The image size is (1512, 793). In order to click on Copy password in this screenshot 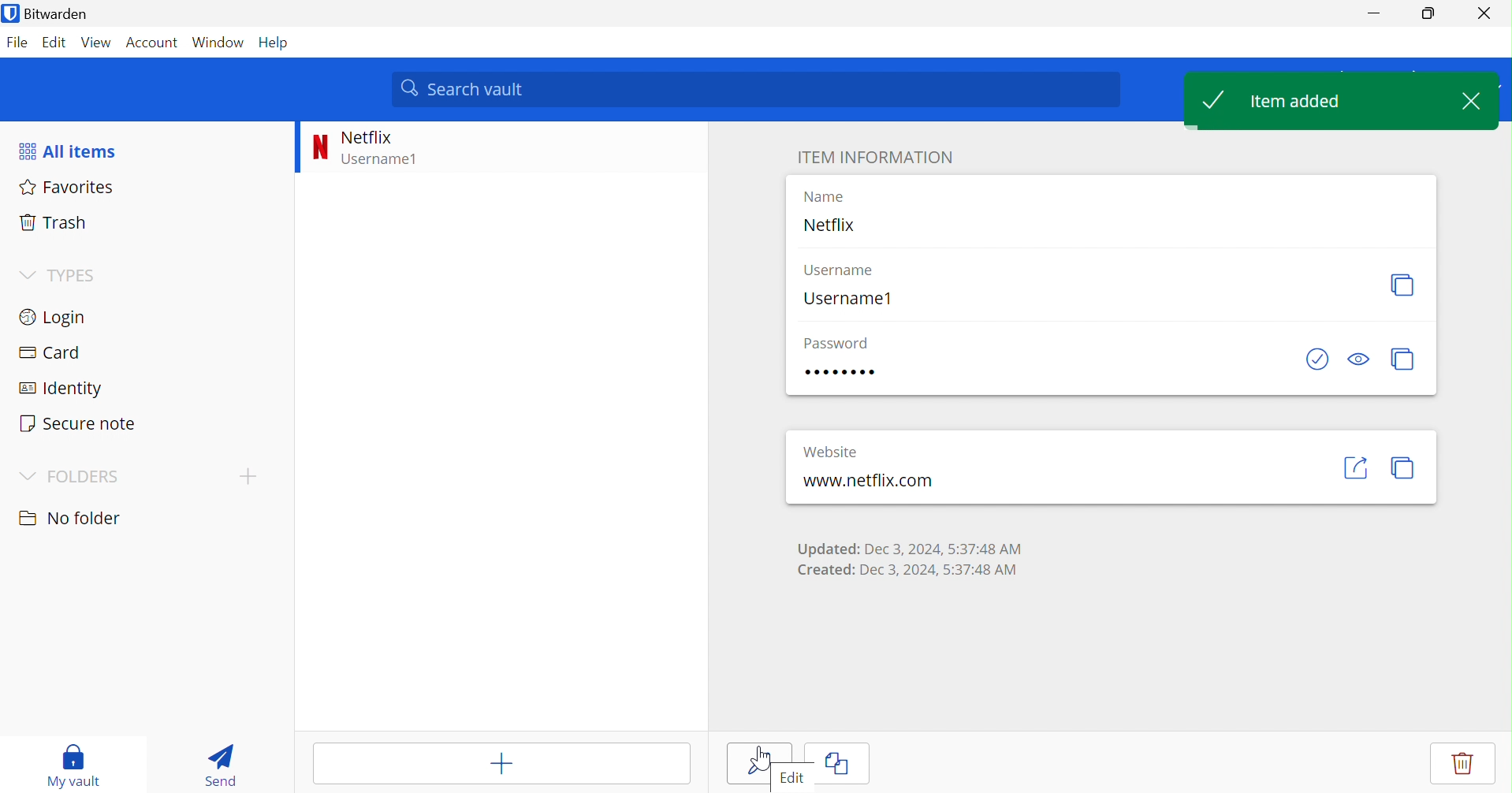, I will do `click(1402, 359)`.